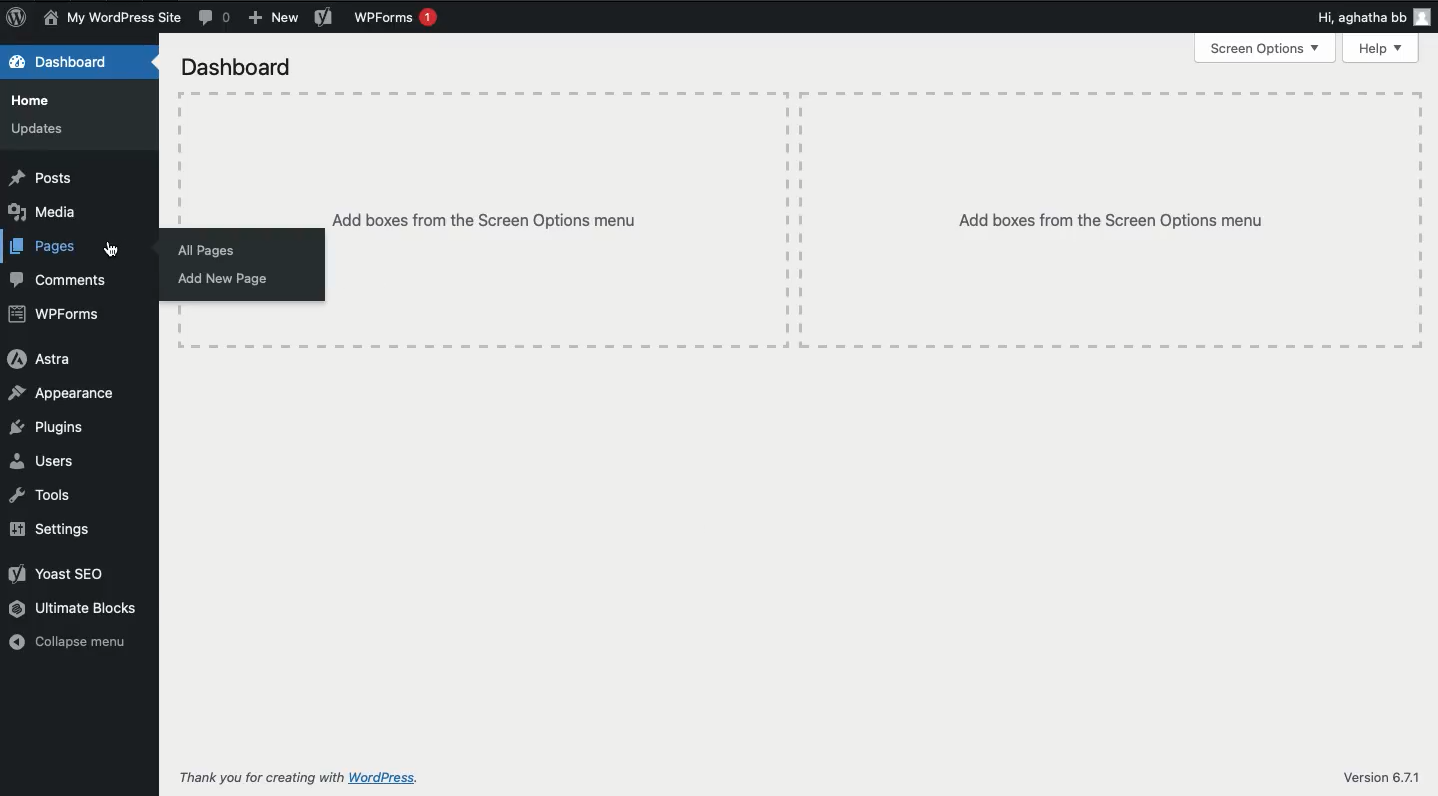 The image size is (1438, 796). Describe the element at coordinates (272, 17) in the screenshot. I see `New` at that location.